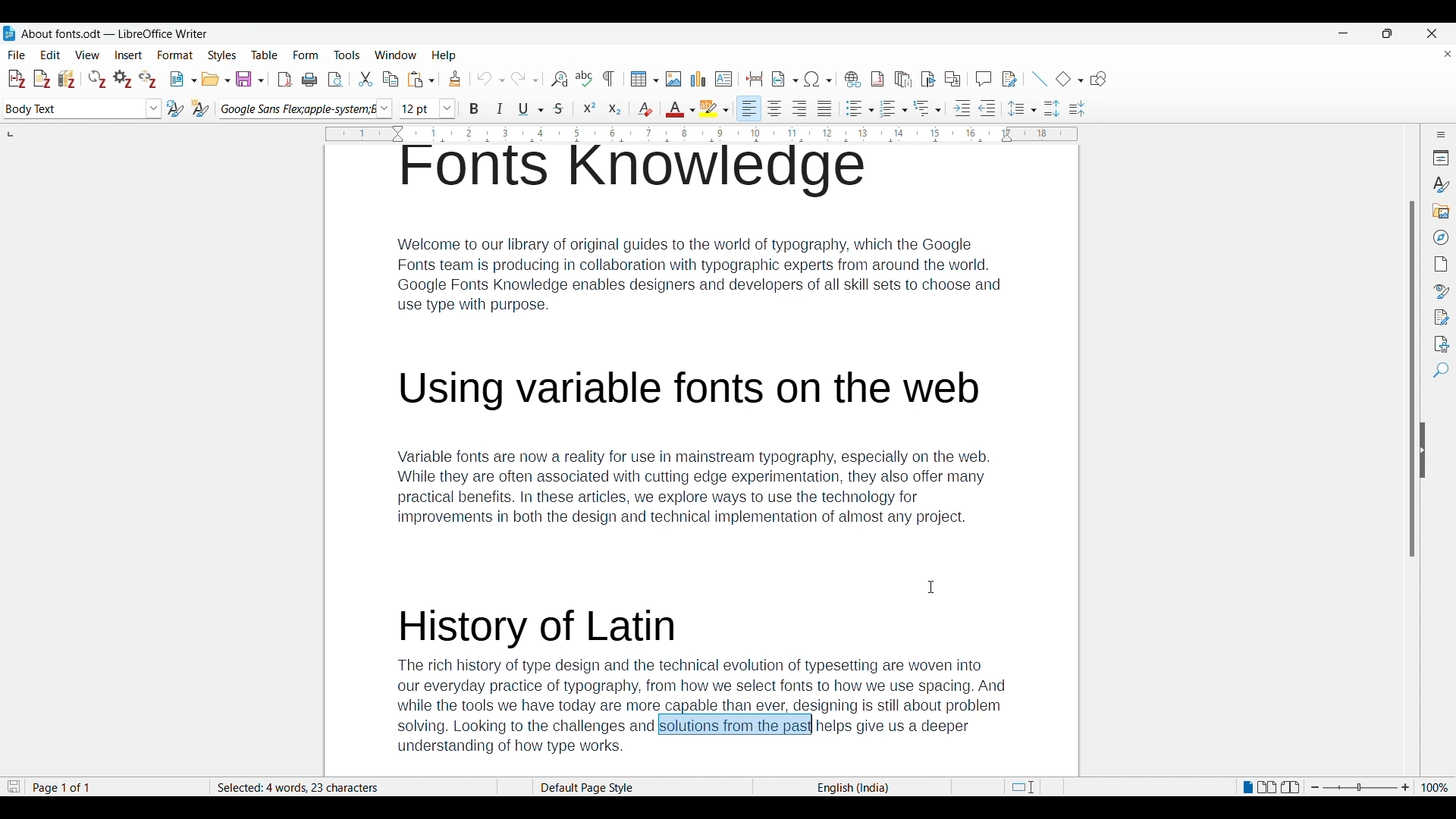 The image size is (1456, 819). Describe the element at coordinates (1247, 788) in the screenshot. I see `Single page view` at that location.